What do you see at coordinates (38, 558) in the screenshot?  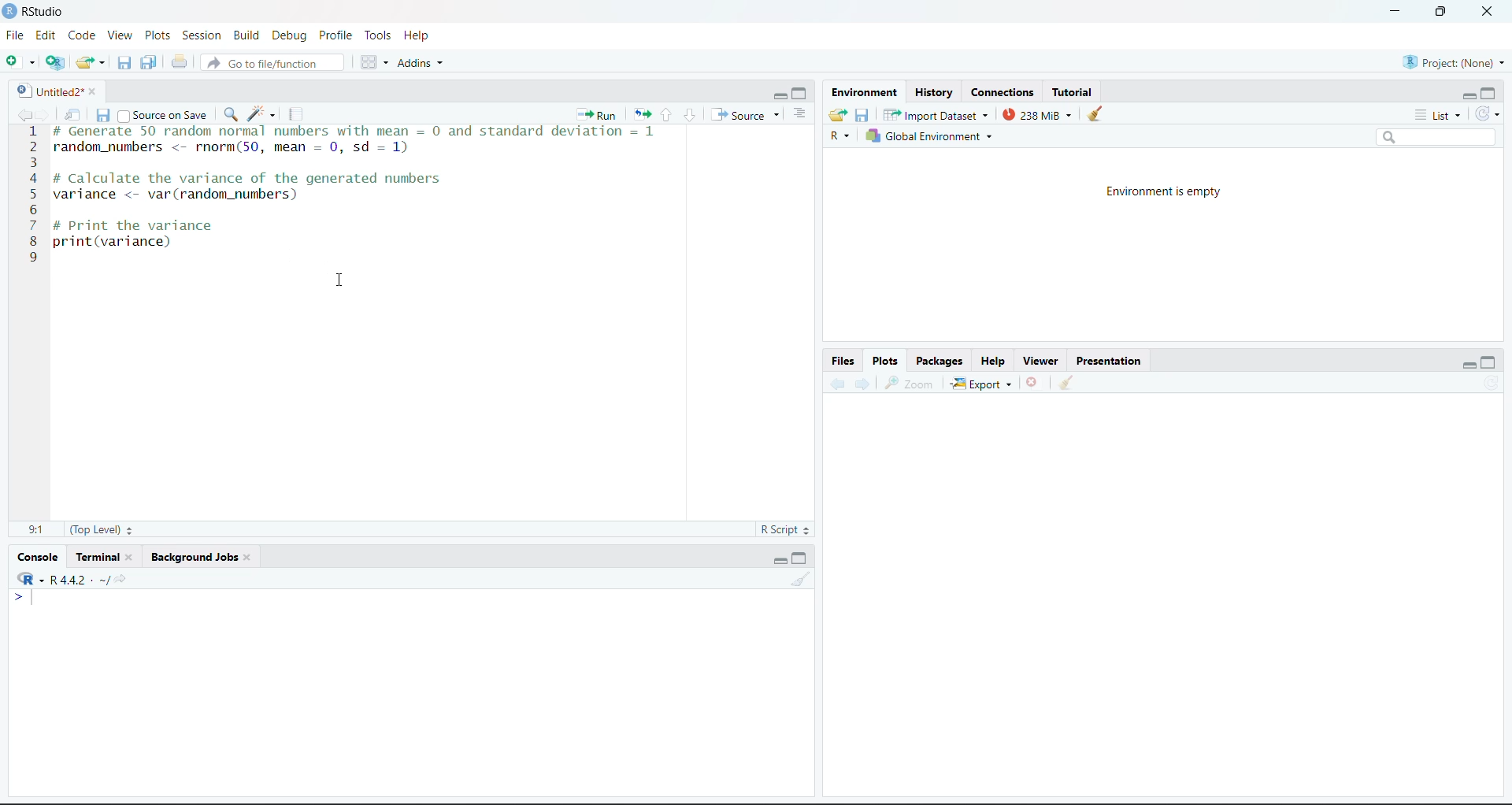 I see `Console` at bounding box center [38, 558].